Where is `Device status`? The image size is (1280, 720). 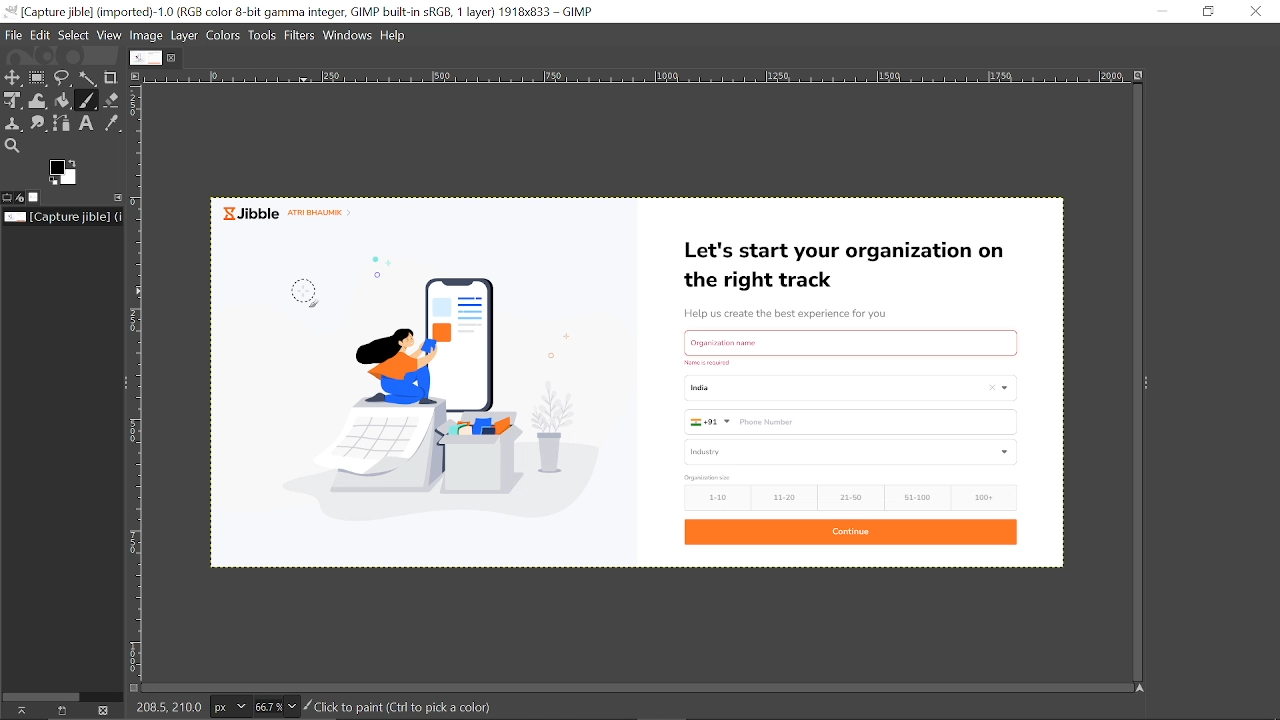
Device status is located at coordinates (22, 198).